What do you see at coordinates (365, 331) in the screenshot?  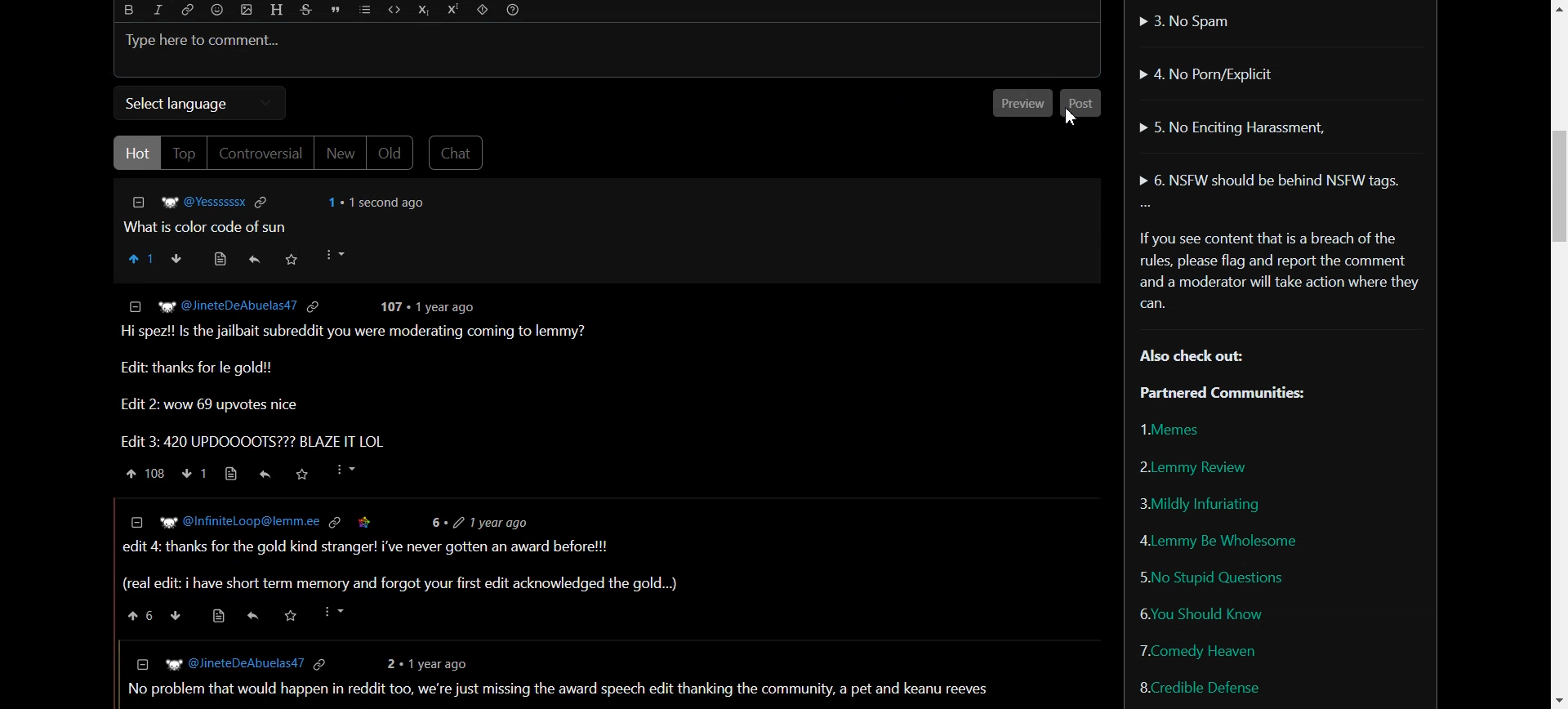 I see `Hi spez!! Is the jailbait subreddit you were moderating coming to lemmy?` at bounding box center [365, 331].